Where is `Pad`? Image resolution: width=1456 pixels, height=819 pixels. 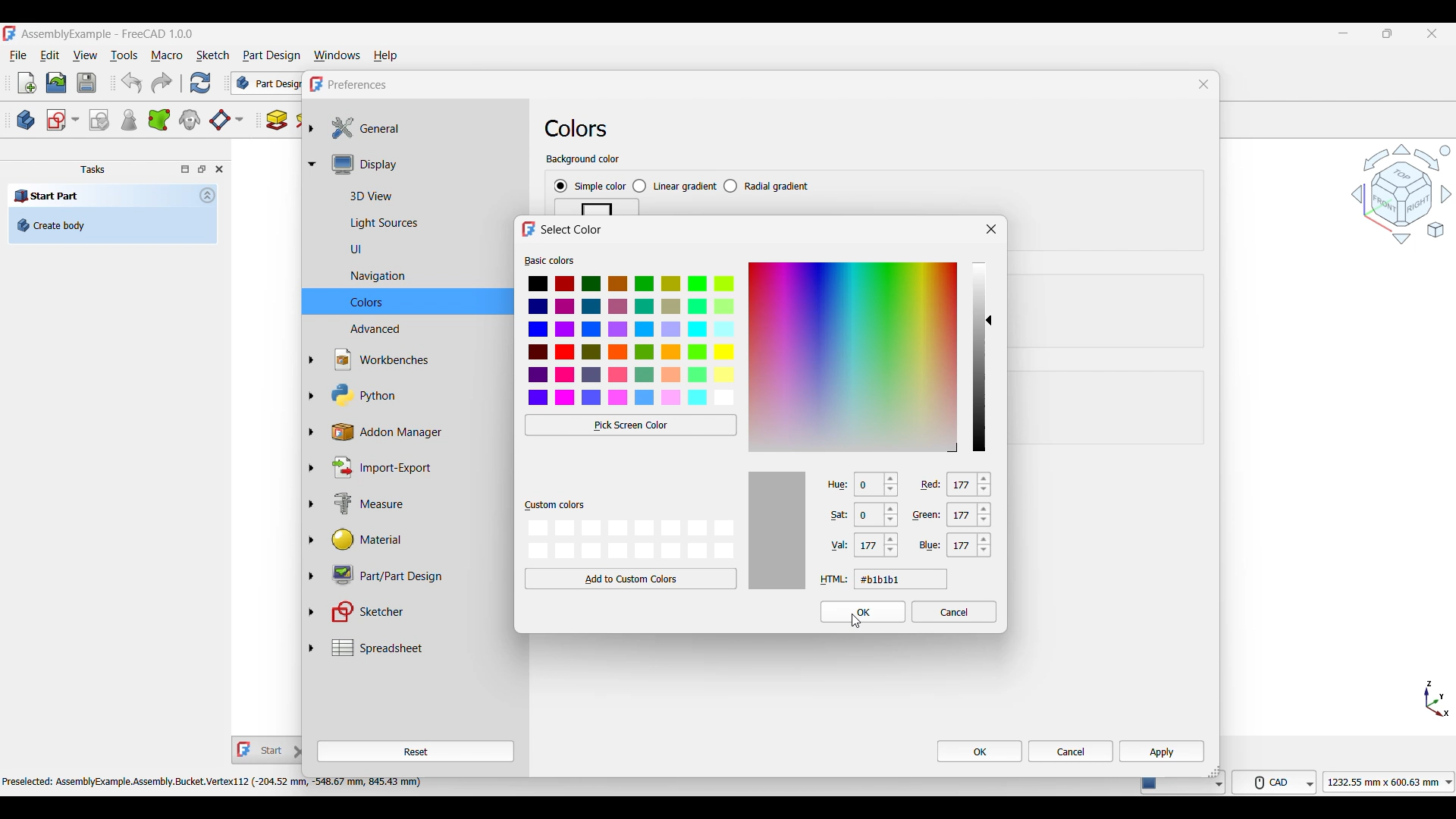
Pad is located at coordinates (277, 120).